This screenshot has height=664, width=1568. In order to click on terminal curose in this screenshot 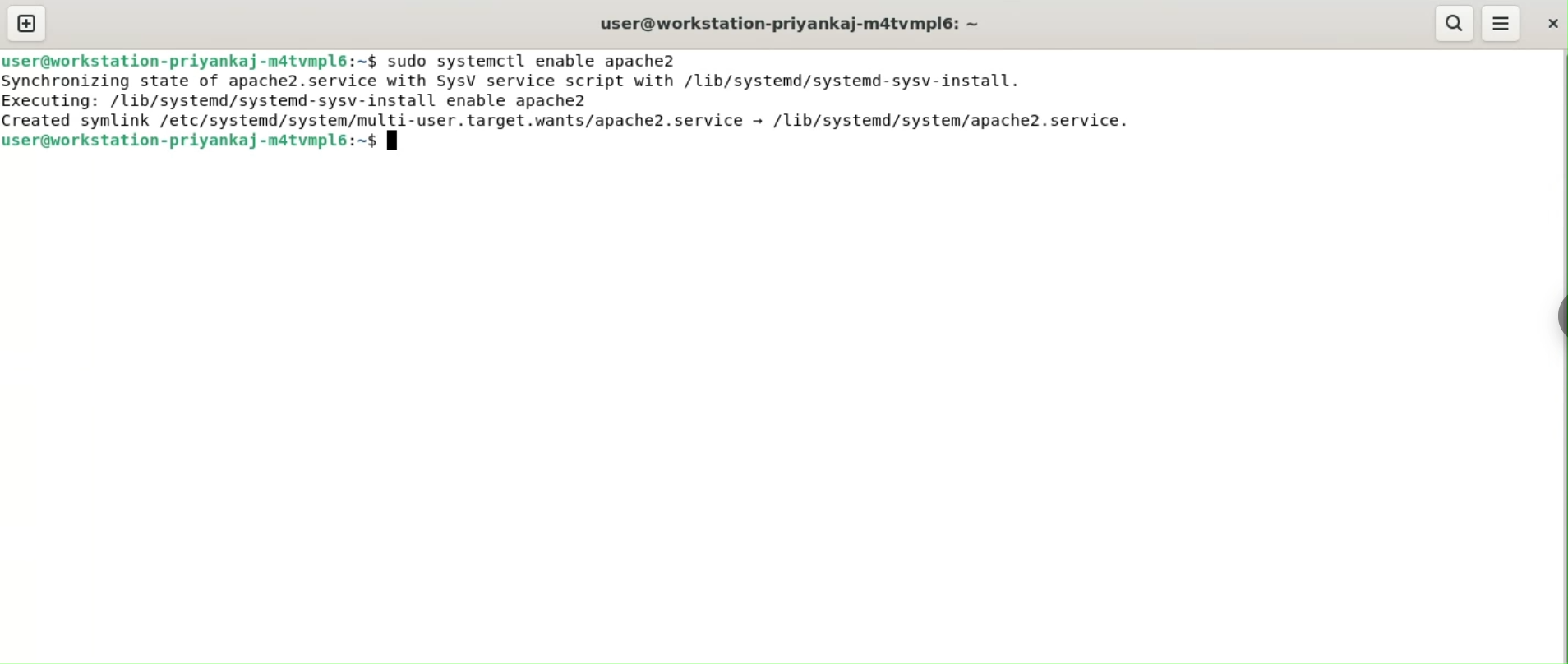, I will do `click(394, 141)`.